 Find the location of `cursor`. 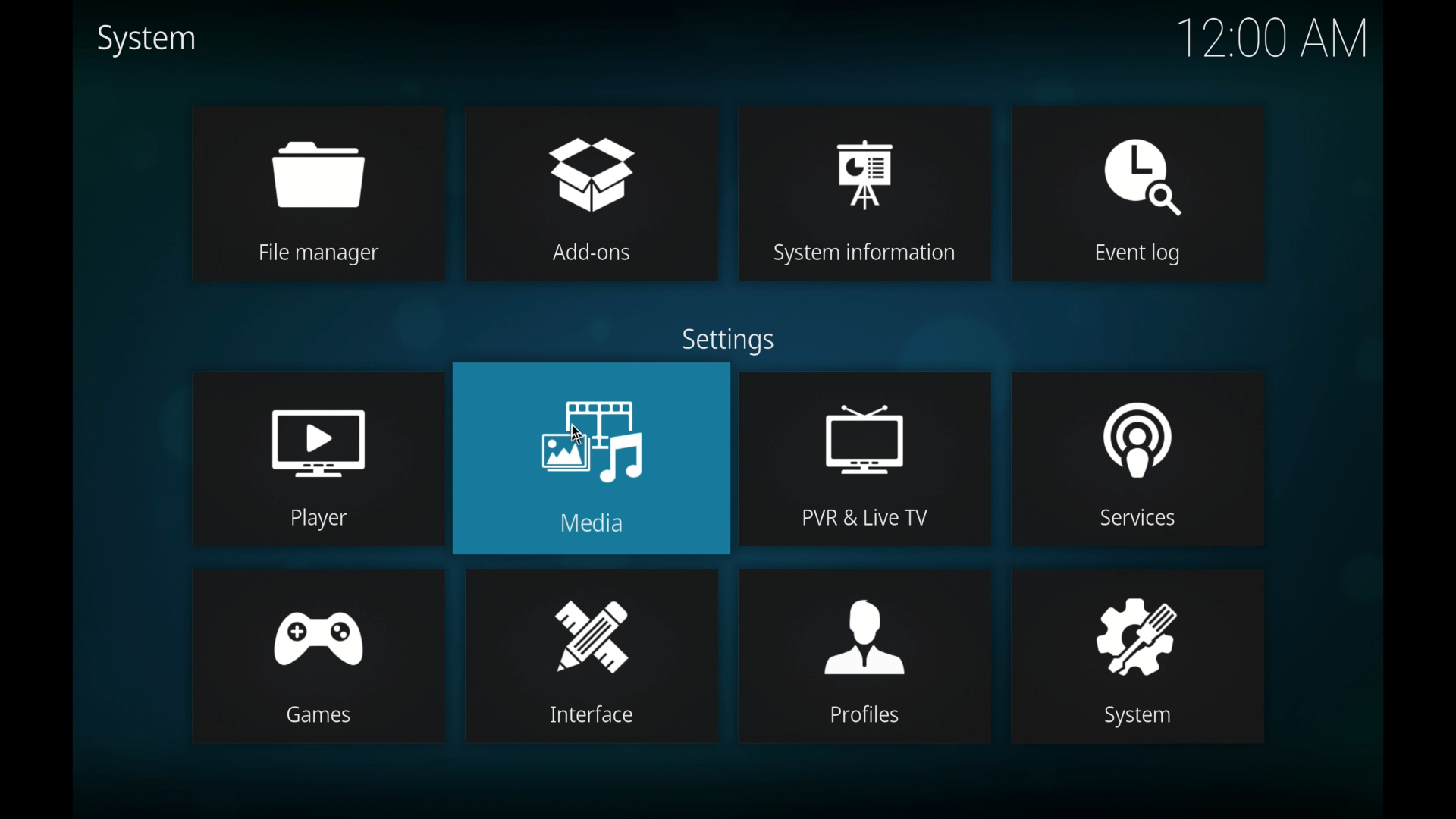

cursor is located at coordinates (576, 434).